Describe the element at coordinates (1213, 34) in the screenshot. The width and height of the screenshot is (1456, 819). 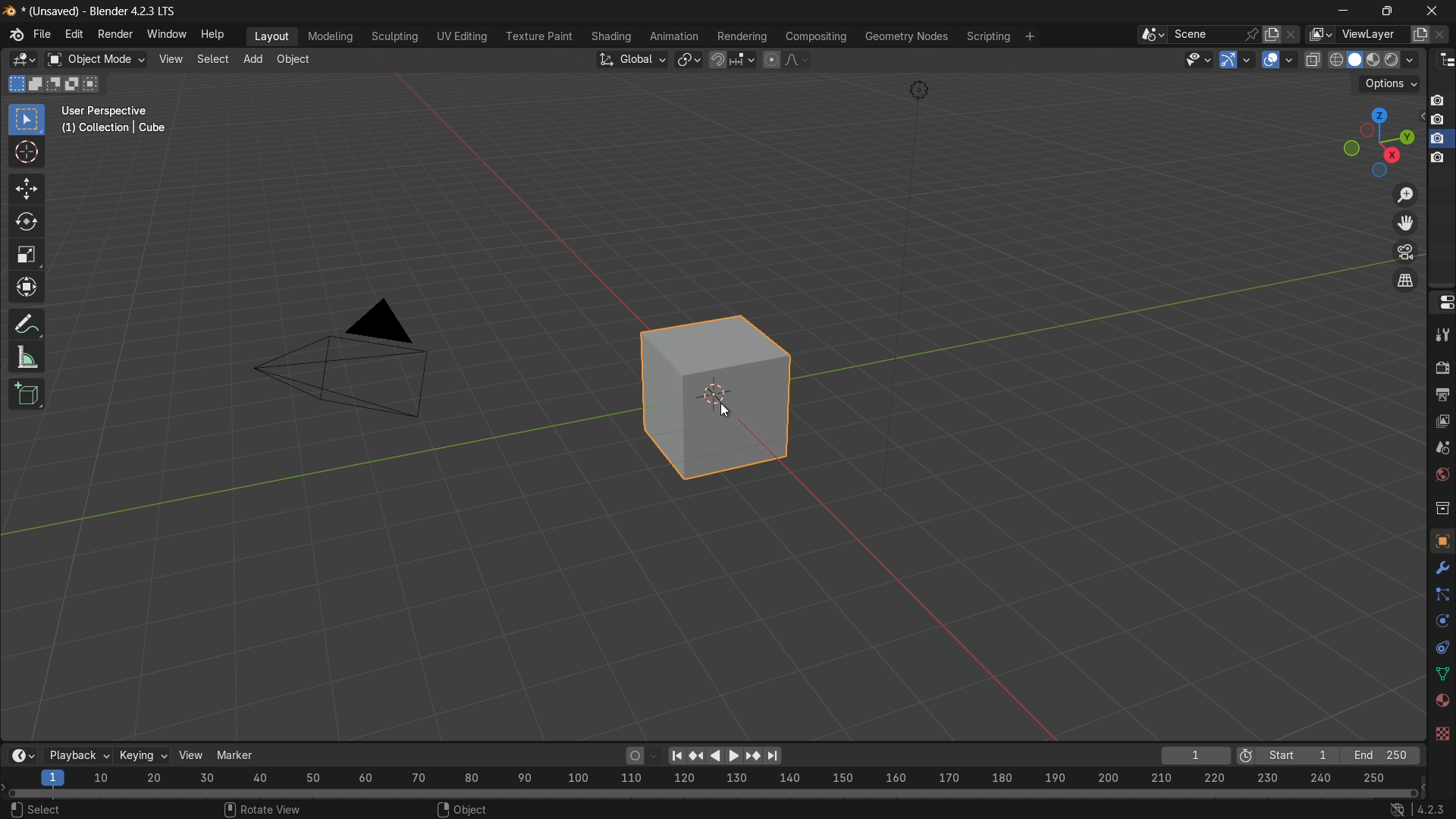
I see `scene` at that location.